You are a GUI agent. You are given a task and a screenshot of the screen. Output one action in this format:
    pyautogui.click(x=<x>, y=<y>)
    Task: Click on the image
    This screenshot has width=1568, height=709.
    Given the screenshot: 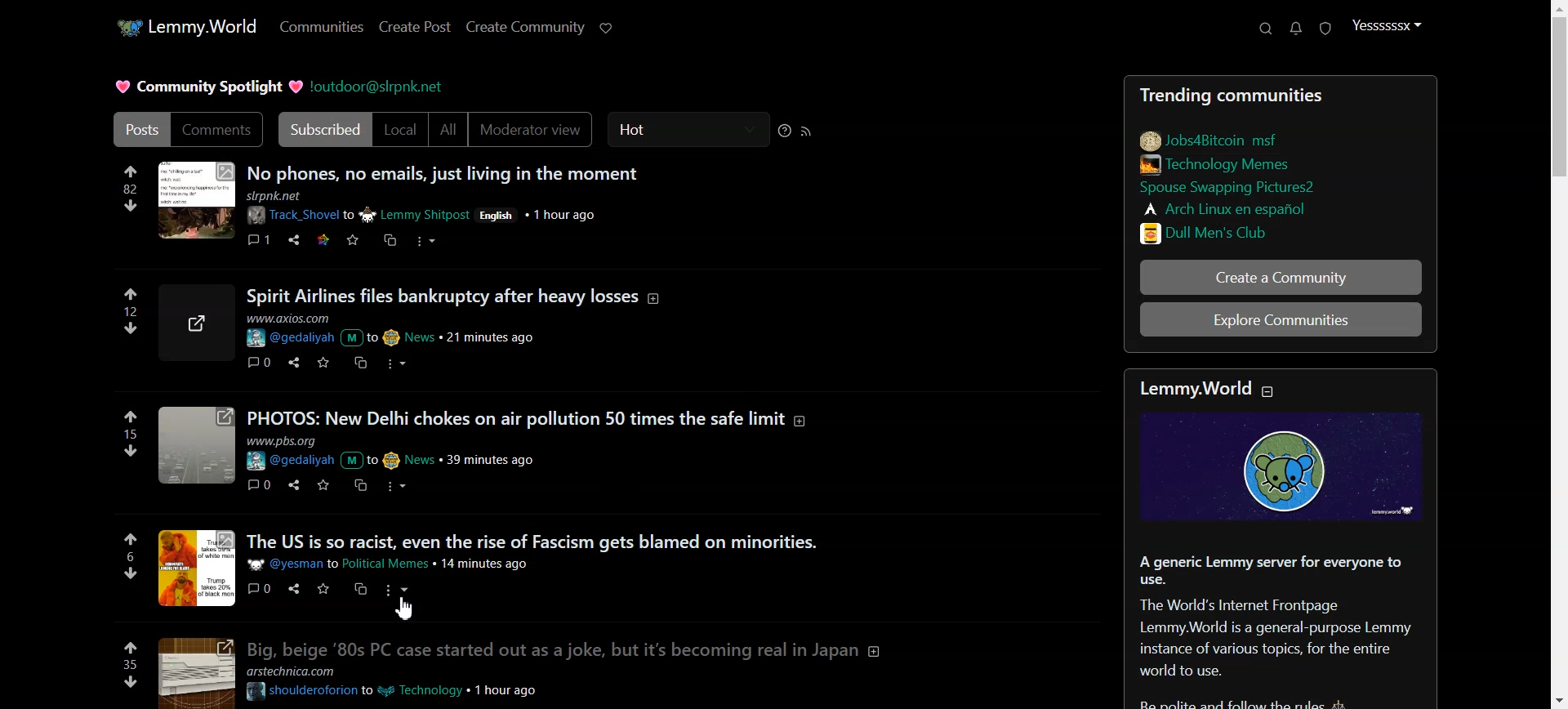 What is the action you would take?
    pyautogui.click(x=195, y=448)
    